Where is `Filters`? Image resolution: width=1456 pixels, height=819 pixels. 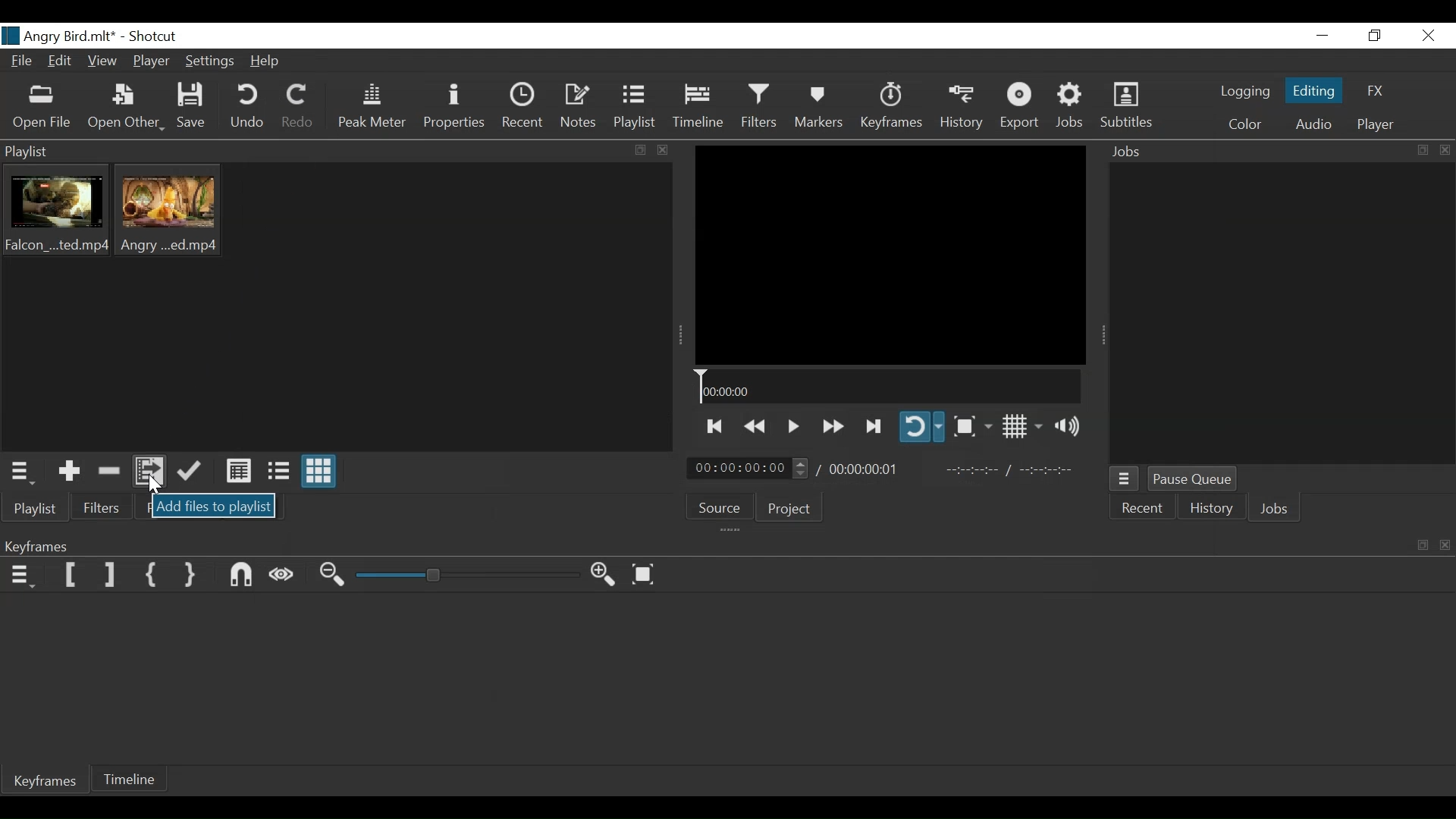
Filters is located at coordinates (759, 107).